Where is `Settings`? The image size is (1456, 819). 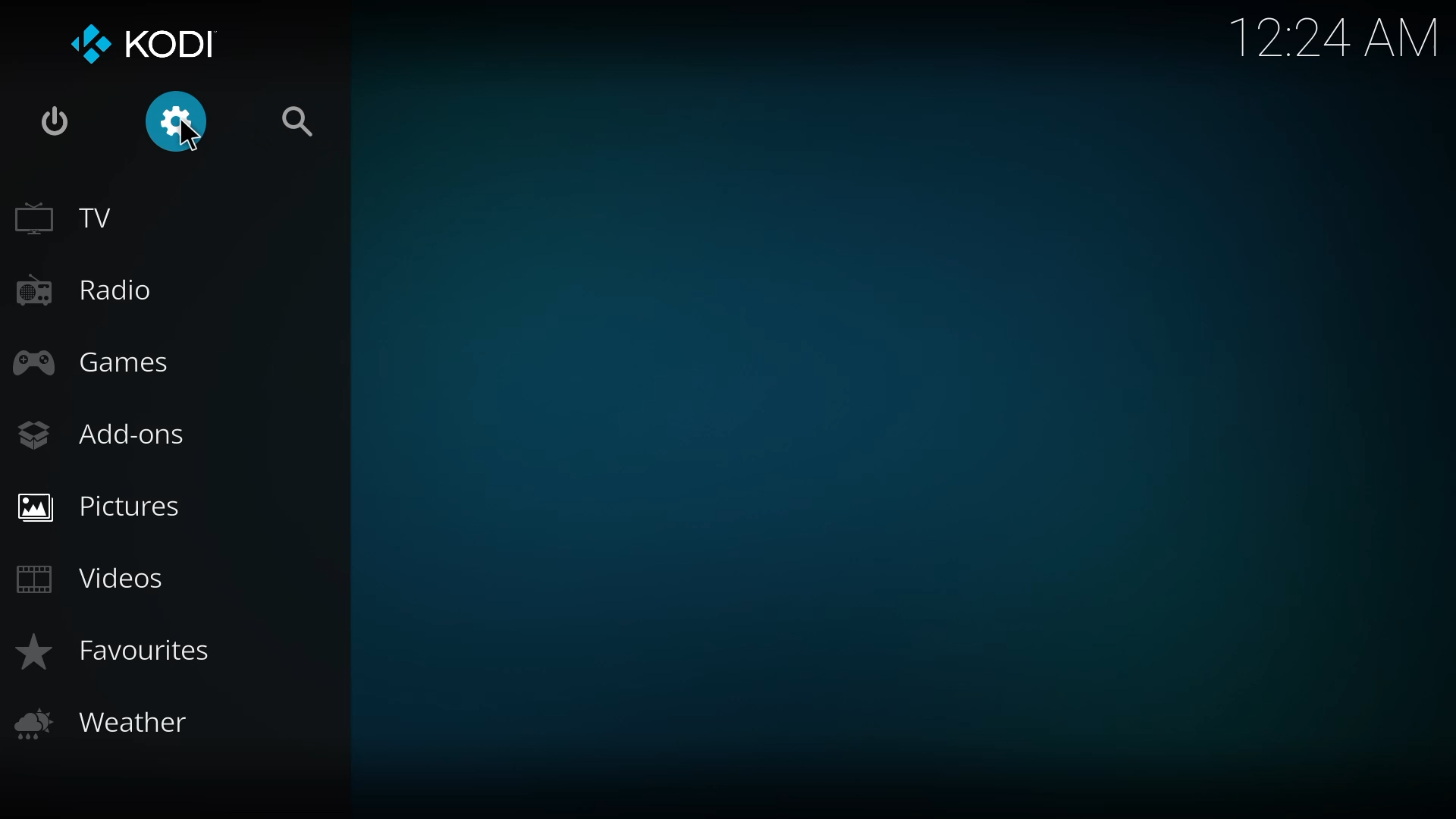
Settings is located at coordinates (174, 122).